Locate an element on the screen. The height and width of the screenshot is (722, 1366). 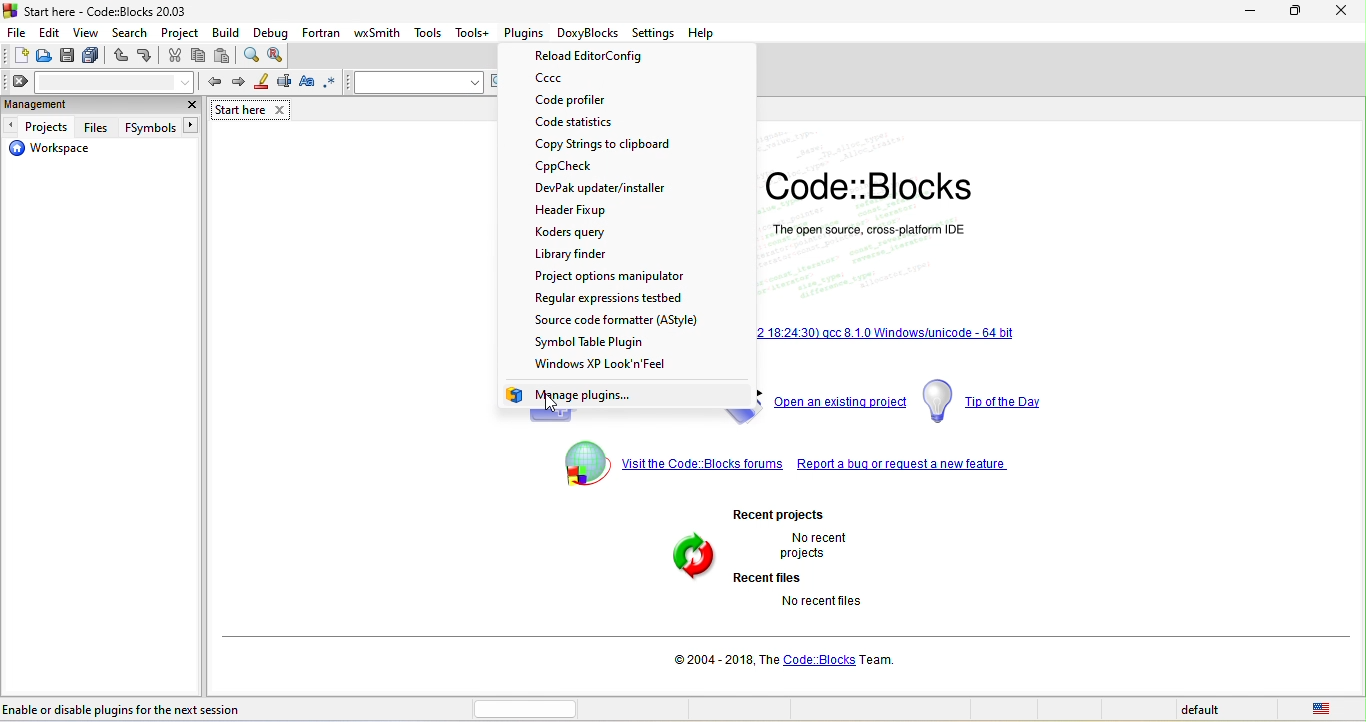
wxsmith is located at coordinates (380, 31).